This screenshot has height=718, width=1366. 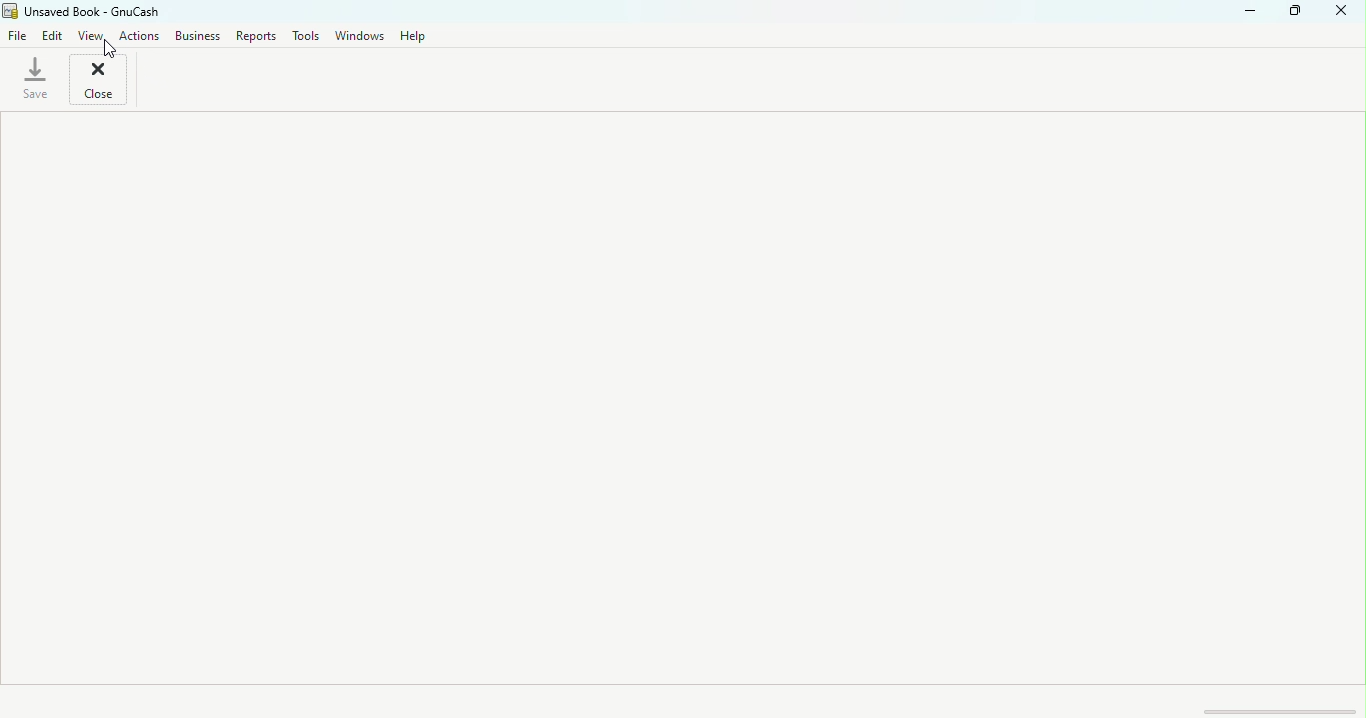 I want to click on Windows, so click(x=356, y=34).